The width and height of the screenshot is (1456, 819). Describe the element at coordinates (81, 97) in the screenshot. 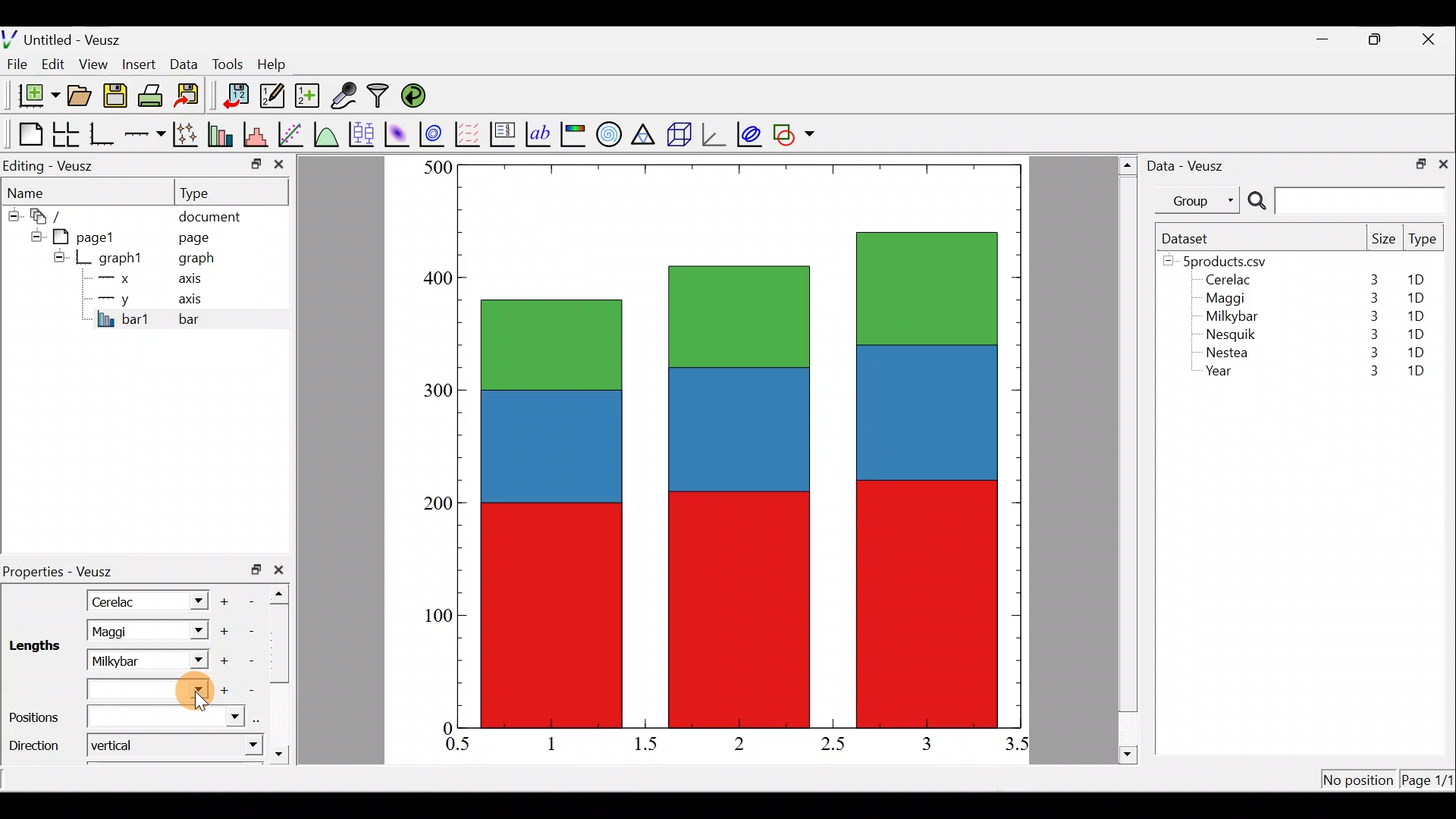

I see `Open a document` at that location.